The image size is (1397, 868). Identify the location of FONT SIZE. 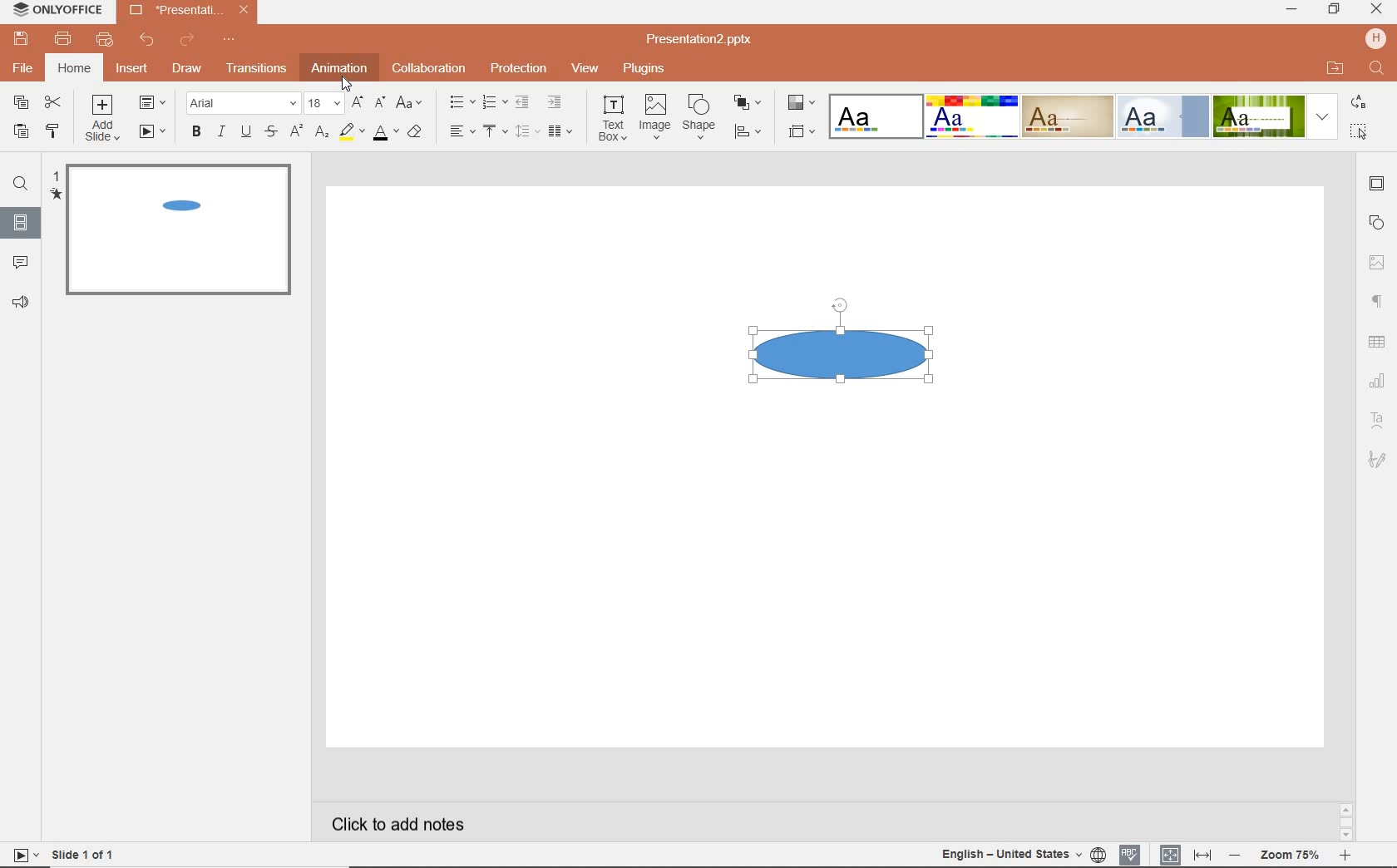
(326, 104).